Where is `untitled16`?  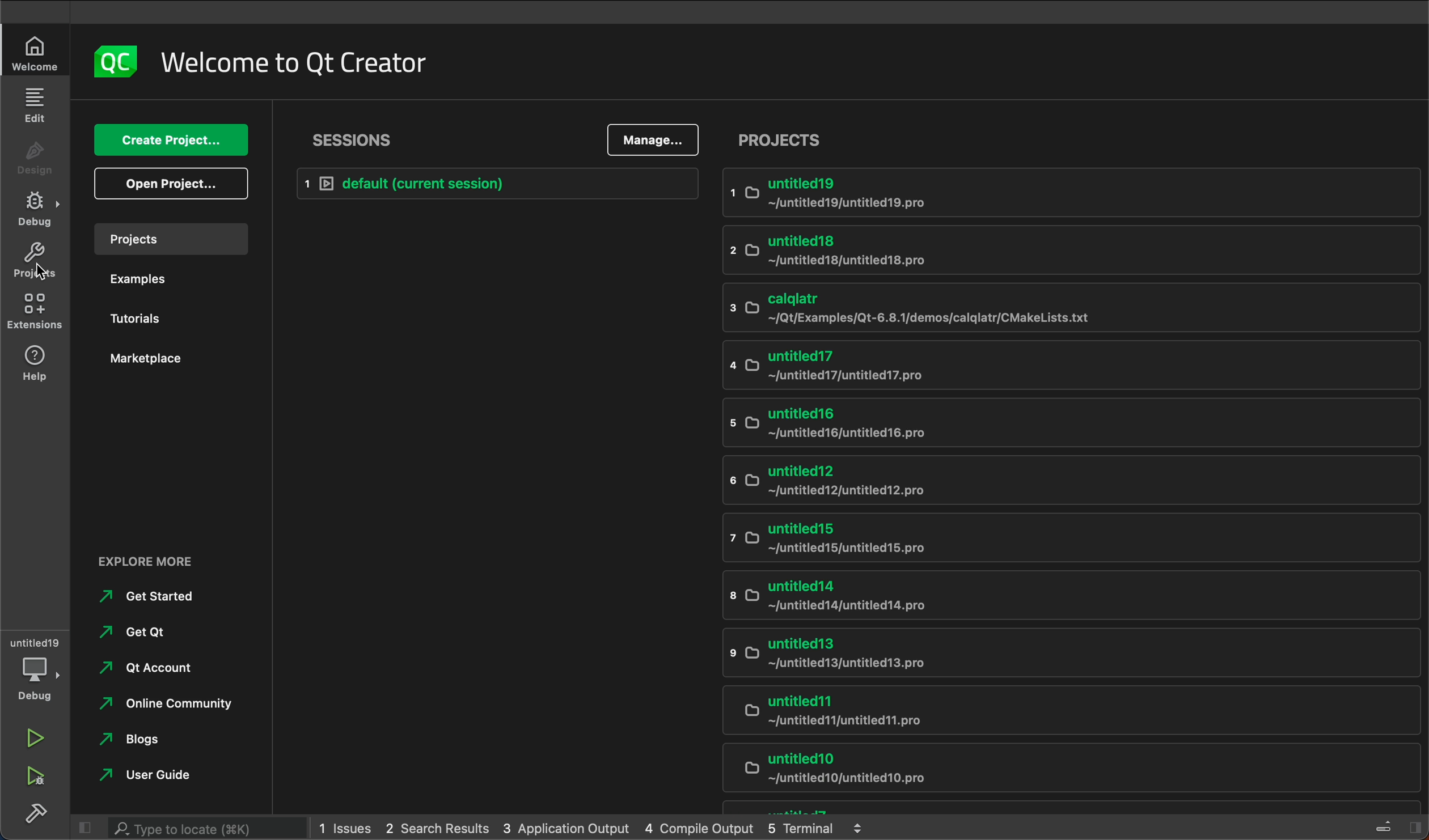 untitled16 is located at coordinates (1064, 425).